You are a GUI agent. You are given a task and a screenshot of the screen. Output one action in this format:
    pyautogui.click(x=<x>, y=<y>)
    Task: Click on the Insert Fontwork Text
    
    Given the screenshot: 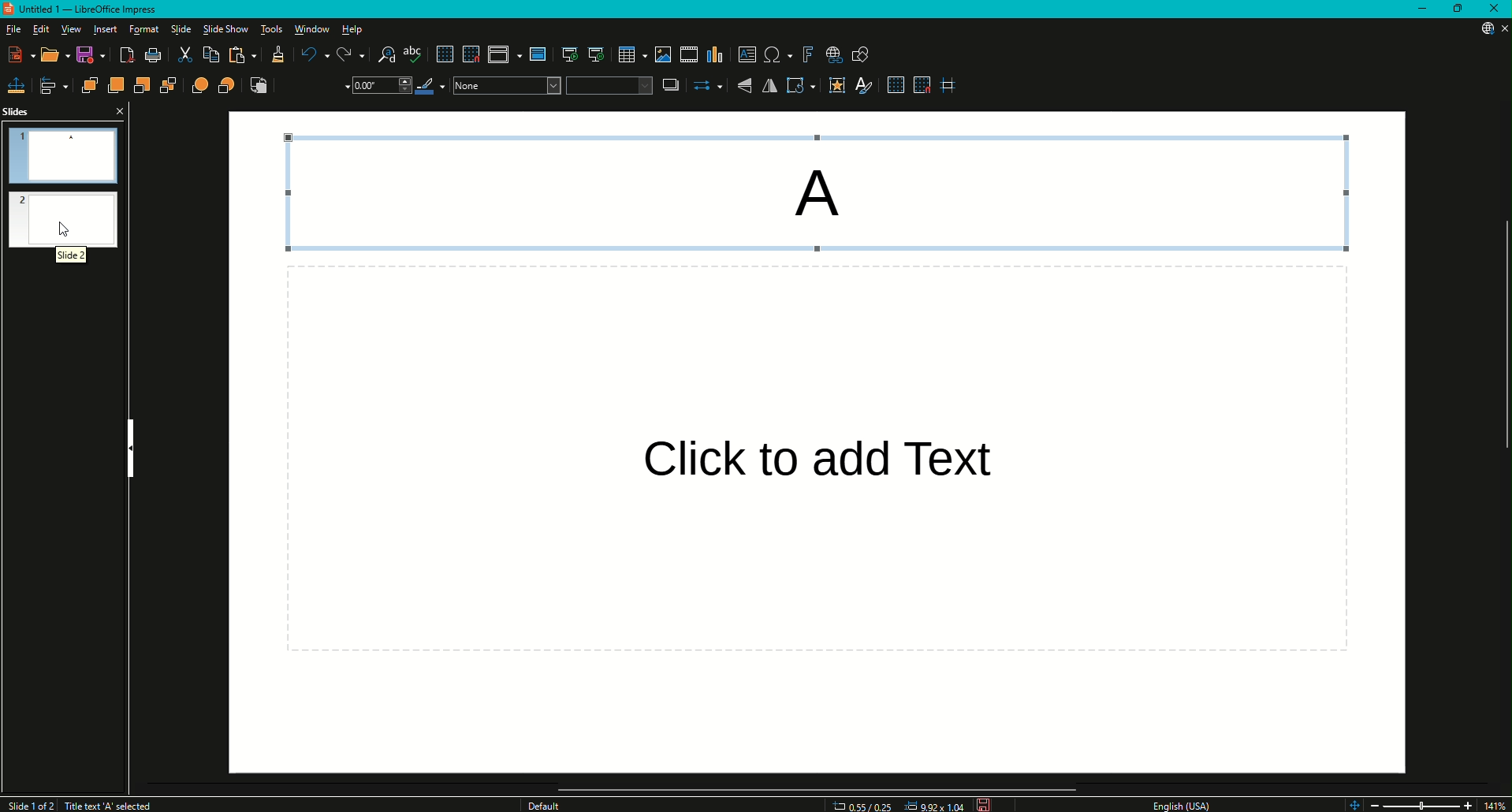 What is the action you would take?
    pyautogui.click(x=807, y=54)
    